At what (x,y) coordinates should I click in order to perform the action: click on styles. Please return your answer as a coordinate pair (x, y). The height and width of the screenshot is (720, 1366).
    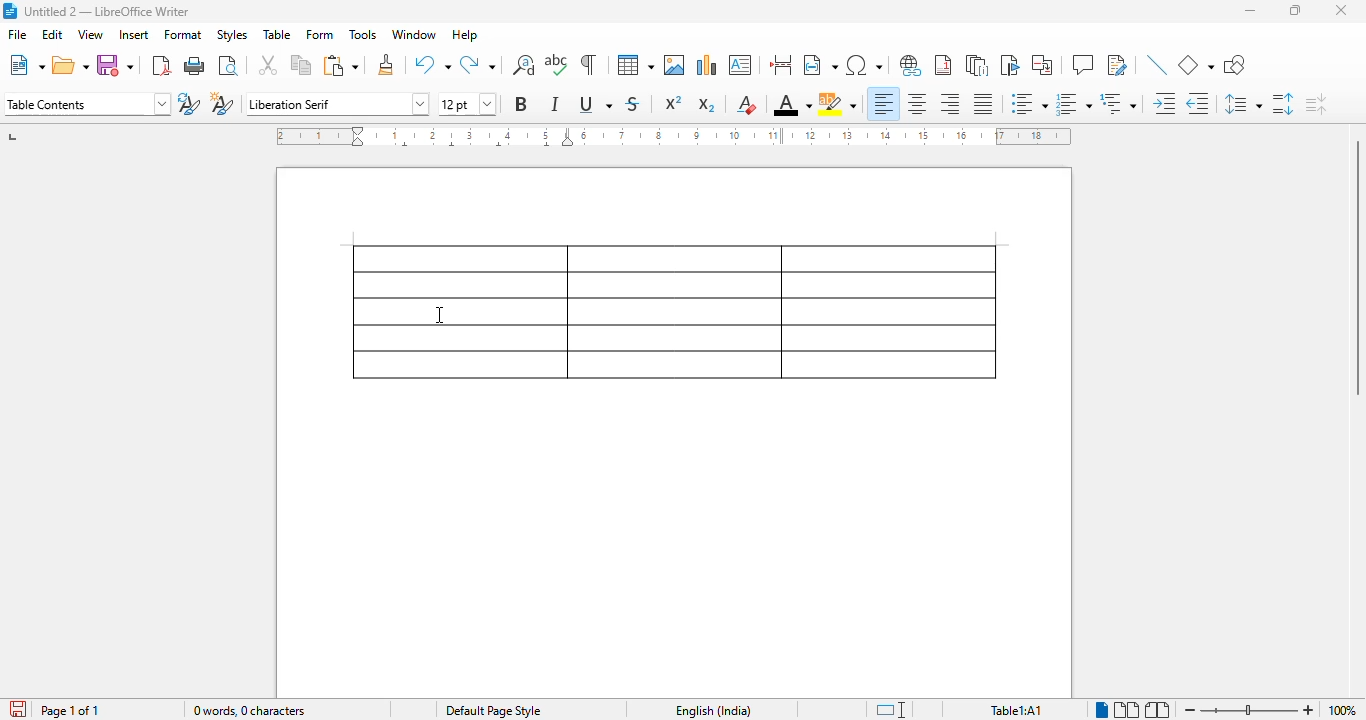
    Looking at the image, I should click on (232, 35).